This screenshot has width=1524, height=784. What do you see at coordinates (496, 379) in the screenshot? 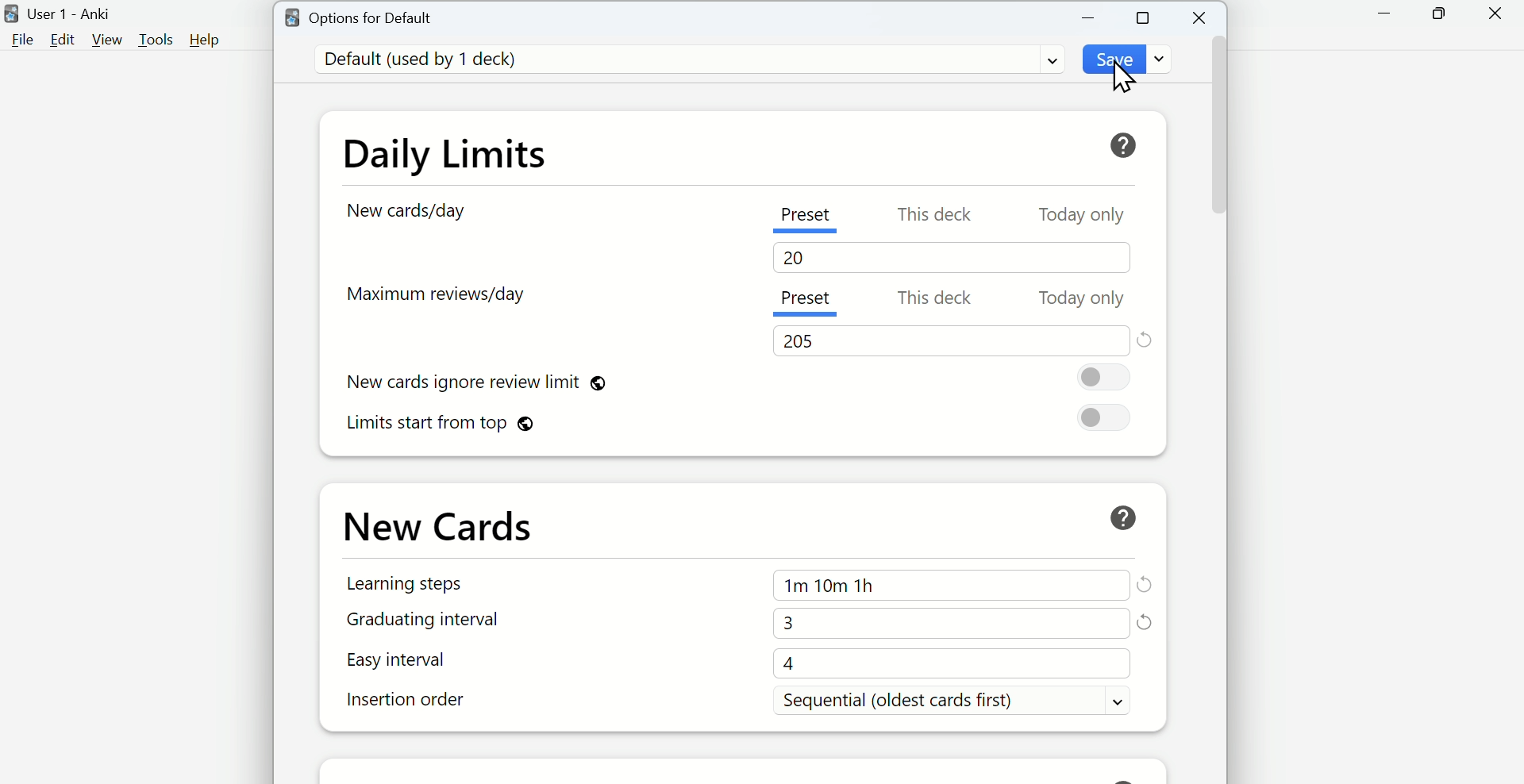
I see `New cards ignore review limit` at bounding box center [496, 379].